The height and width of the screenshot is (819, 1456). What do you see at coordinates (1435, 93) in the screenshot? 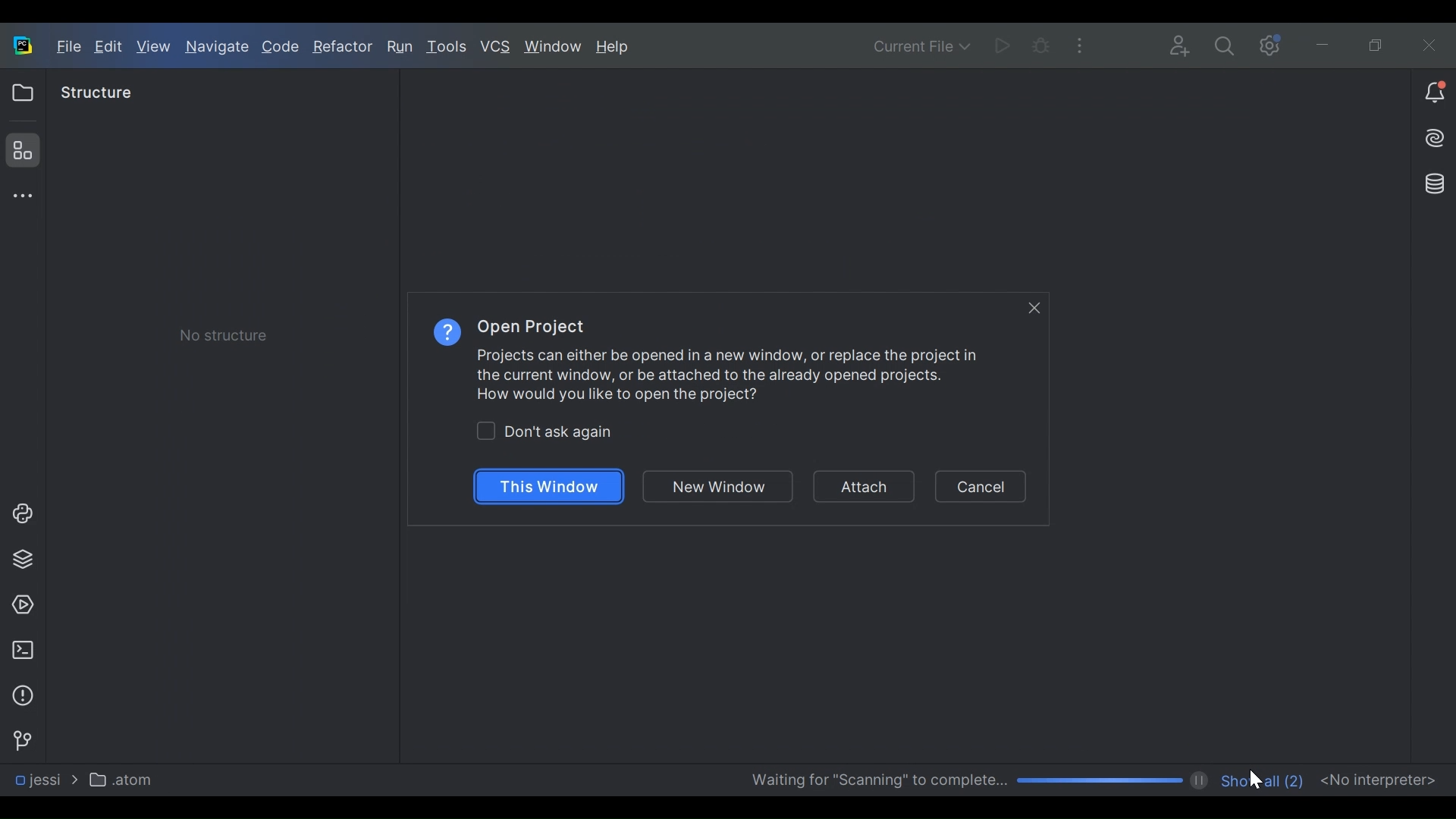
I see `Notiication` at bounding box center [1435, 93].